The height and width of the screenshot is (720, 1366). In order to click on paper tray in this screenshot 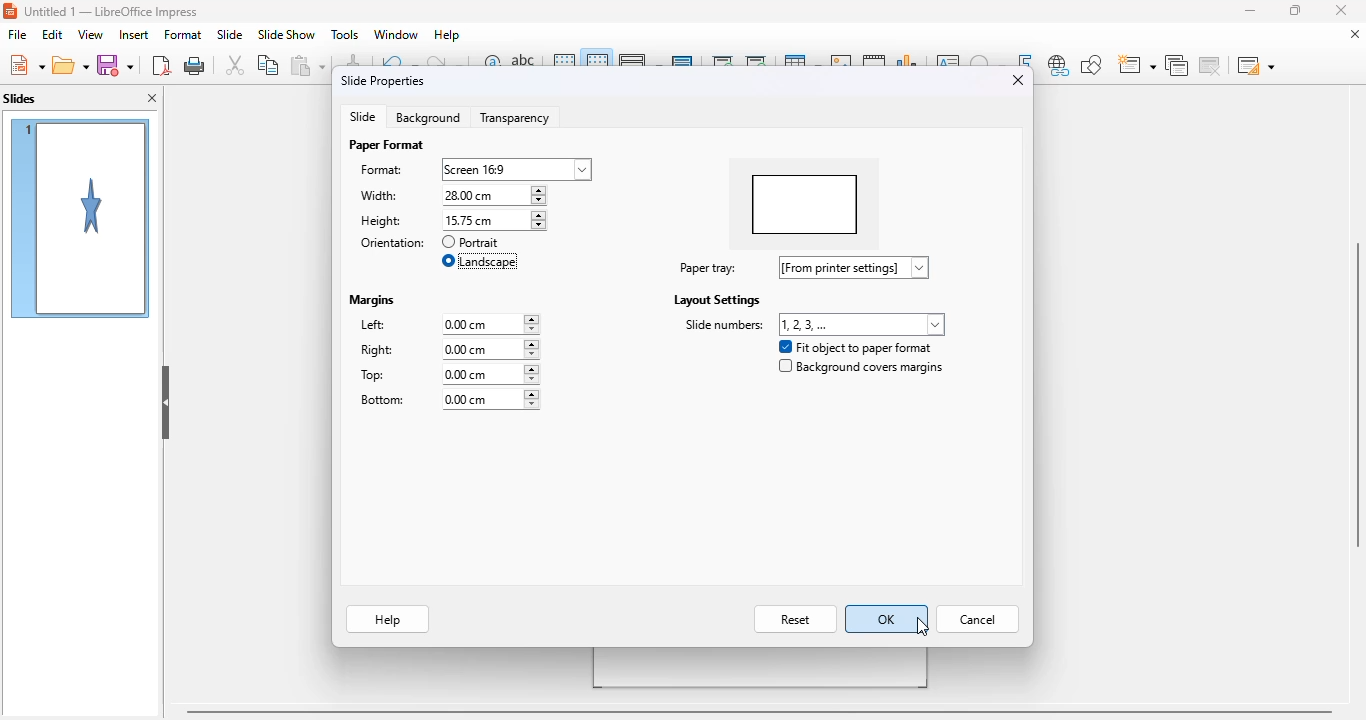, I will do `click(706, 268)`.